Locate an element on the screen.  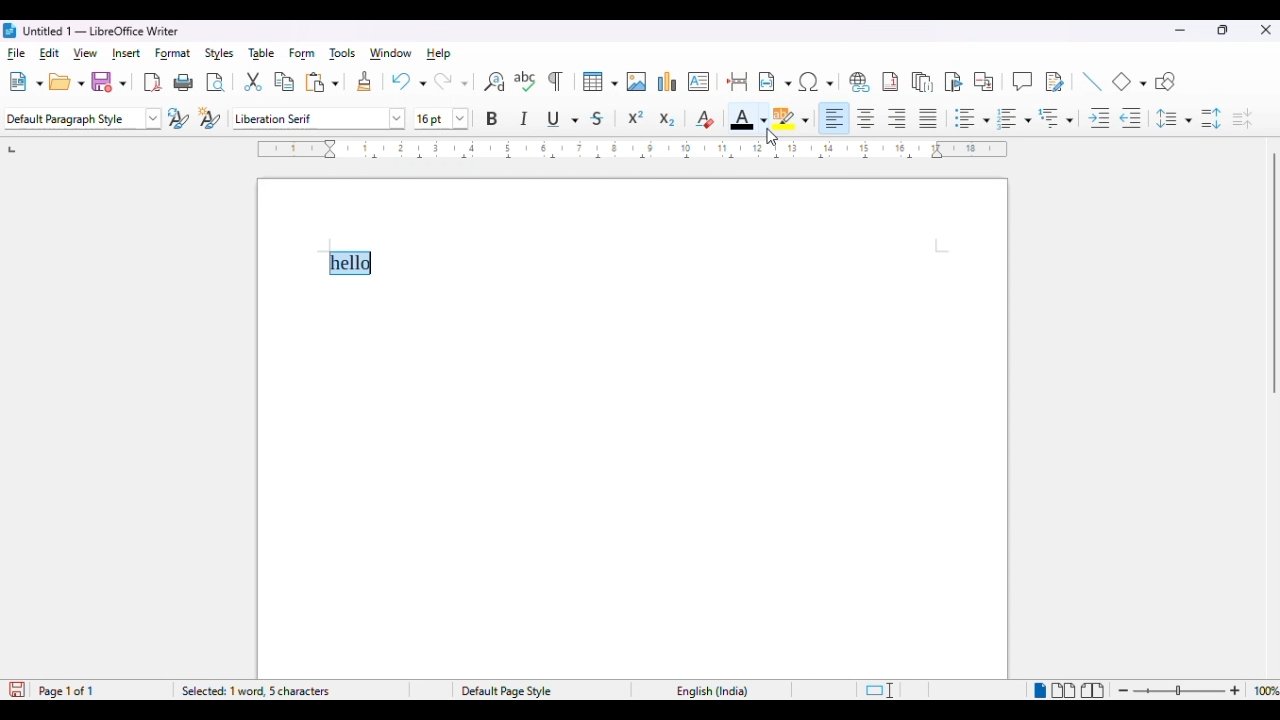
find and replace is located at coordinates (495, 82).